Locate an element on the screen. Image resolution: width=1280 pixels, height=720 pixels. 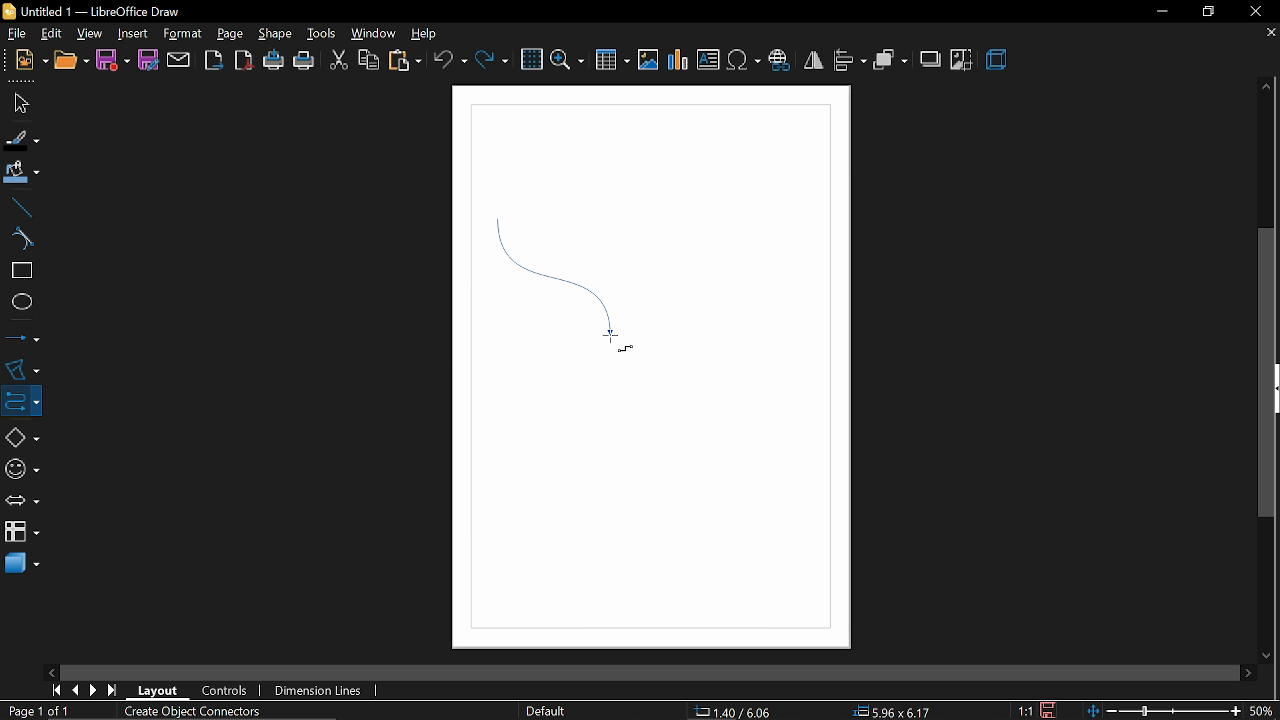
format is located at coordinates (182, 34).